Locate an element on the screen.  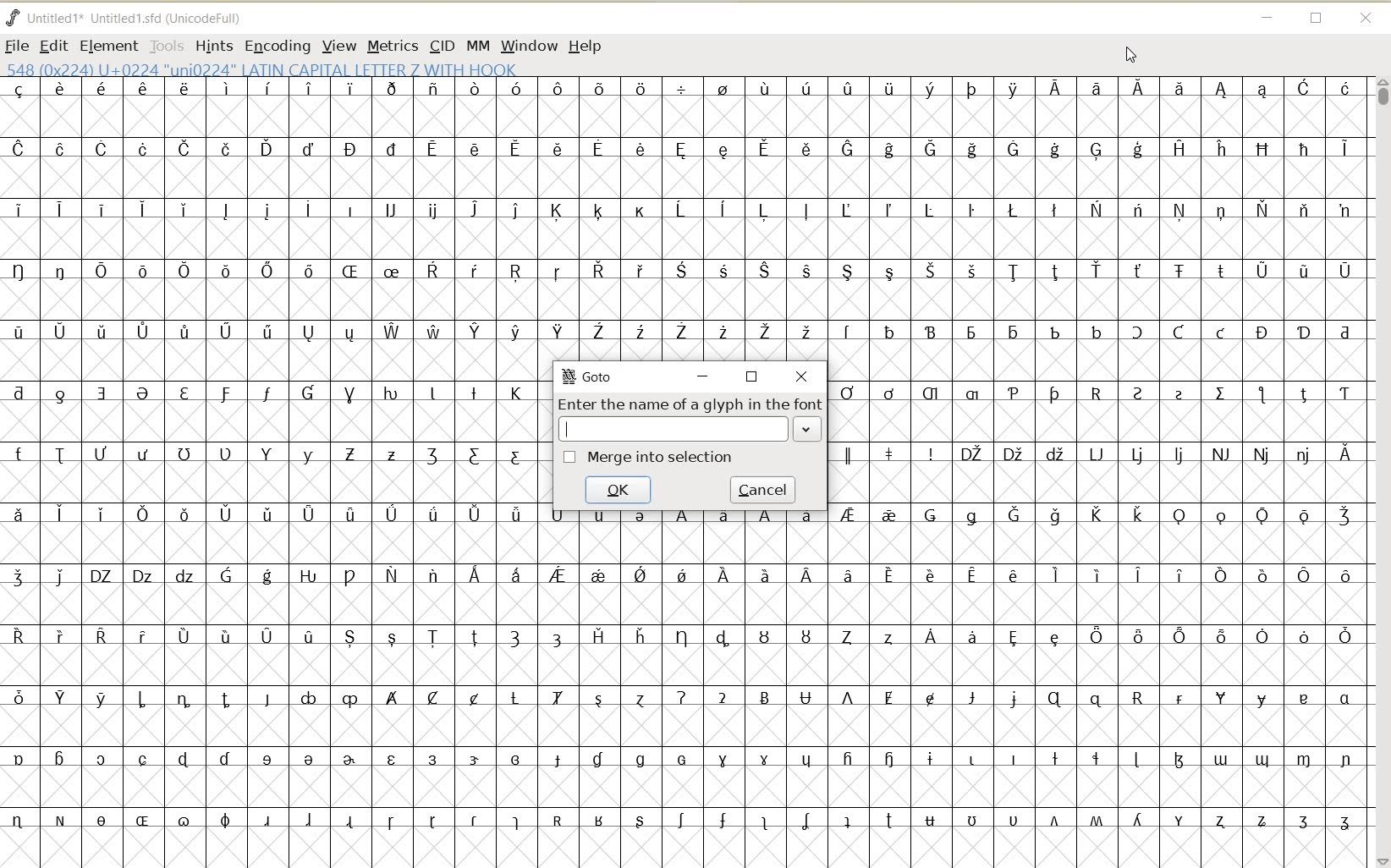
MINIMIZE is located at coordinates (1266, 15).